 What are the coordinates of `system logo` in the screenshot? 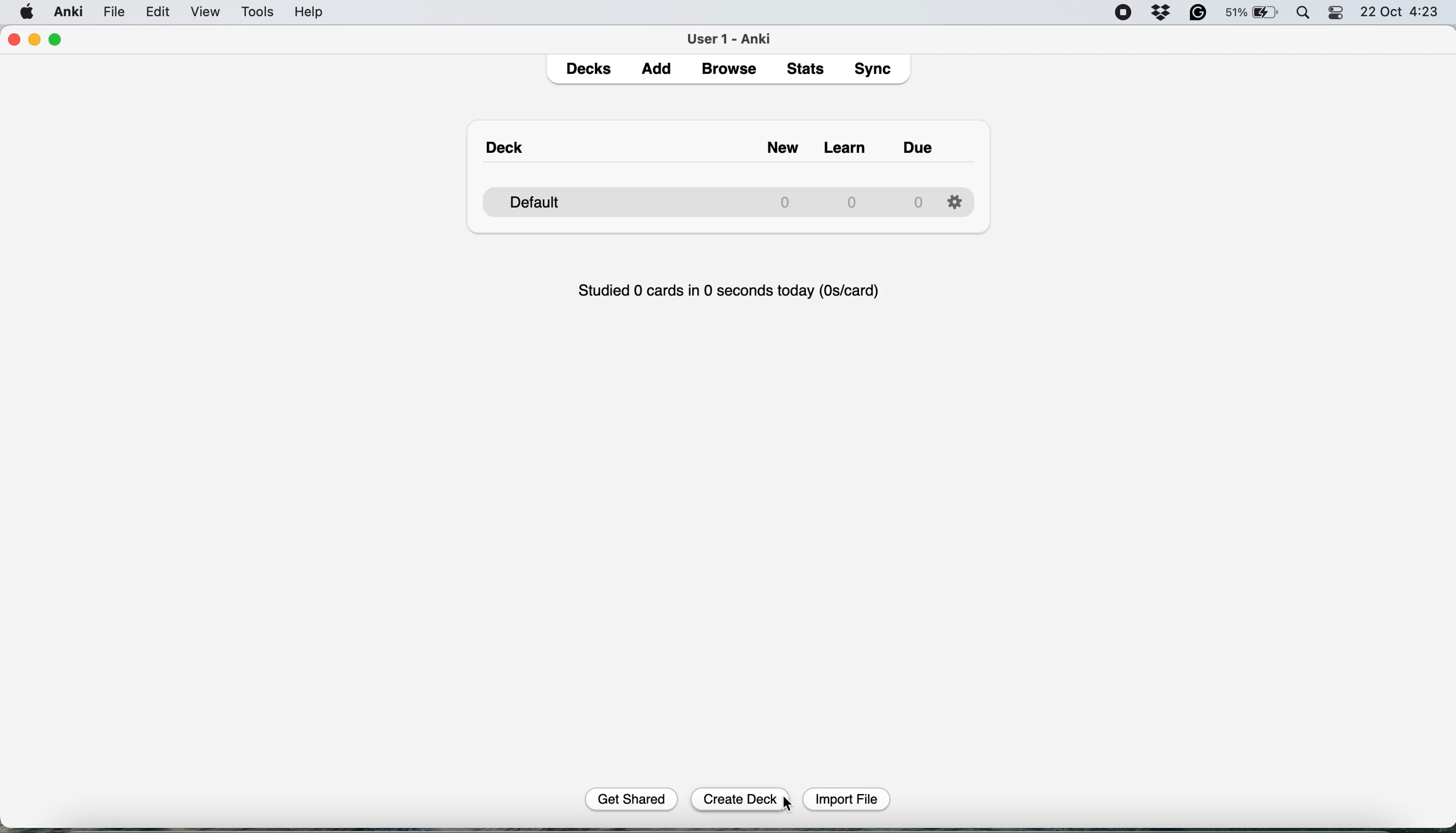 It's located at (27, 13).